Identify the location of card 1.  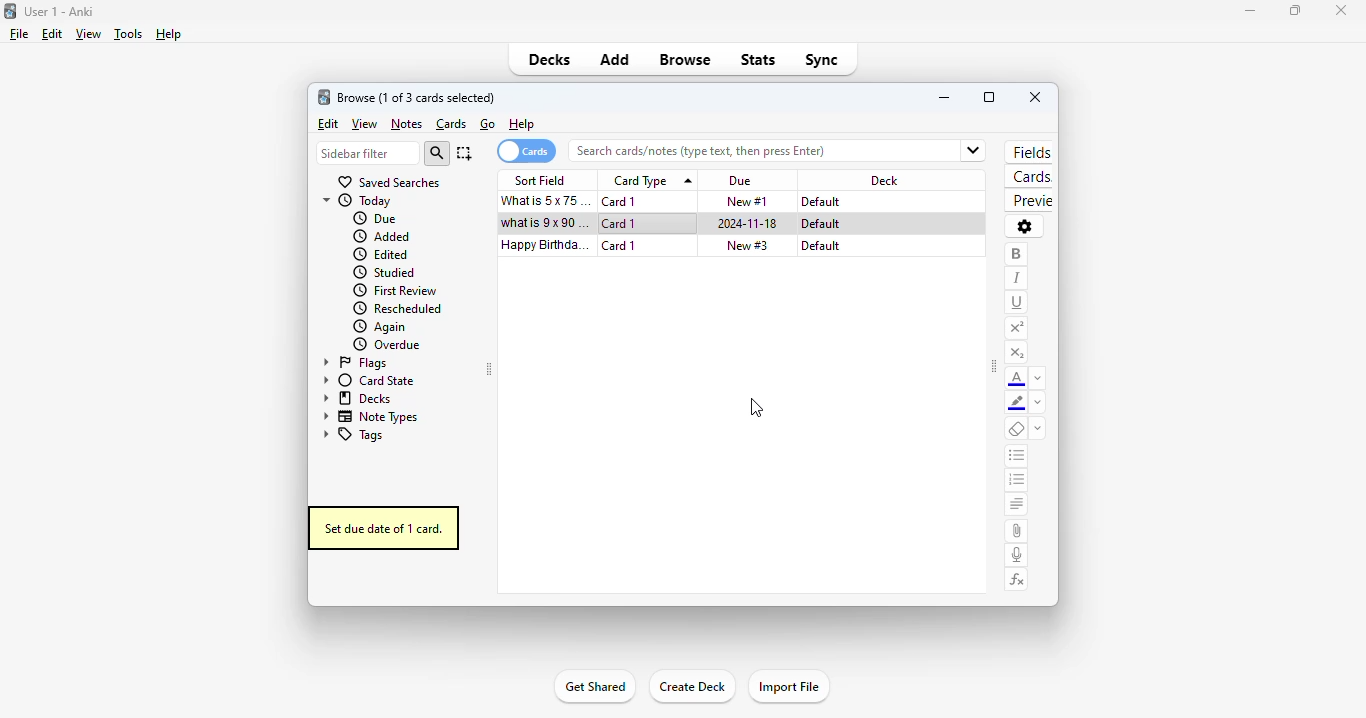
(619, 246).